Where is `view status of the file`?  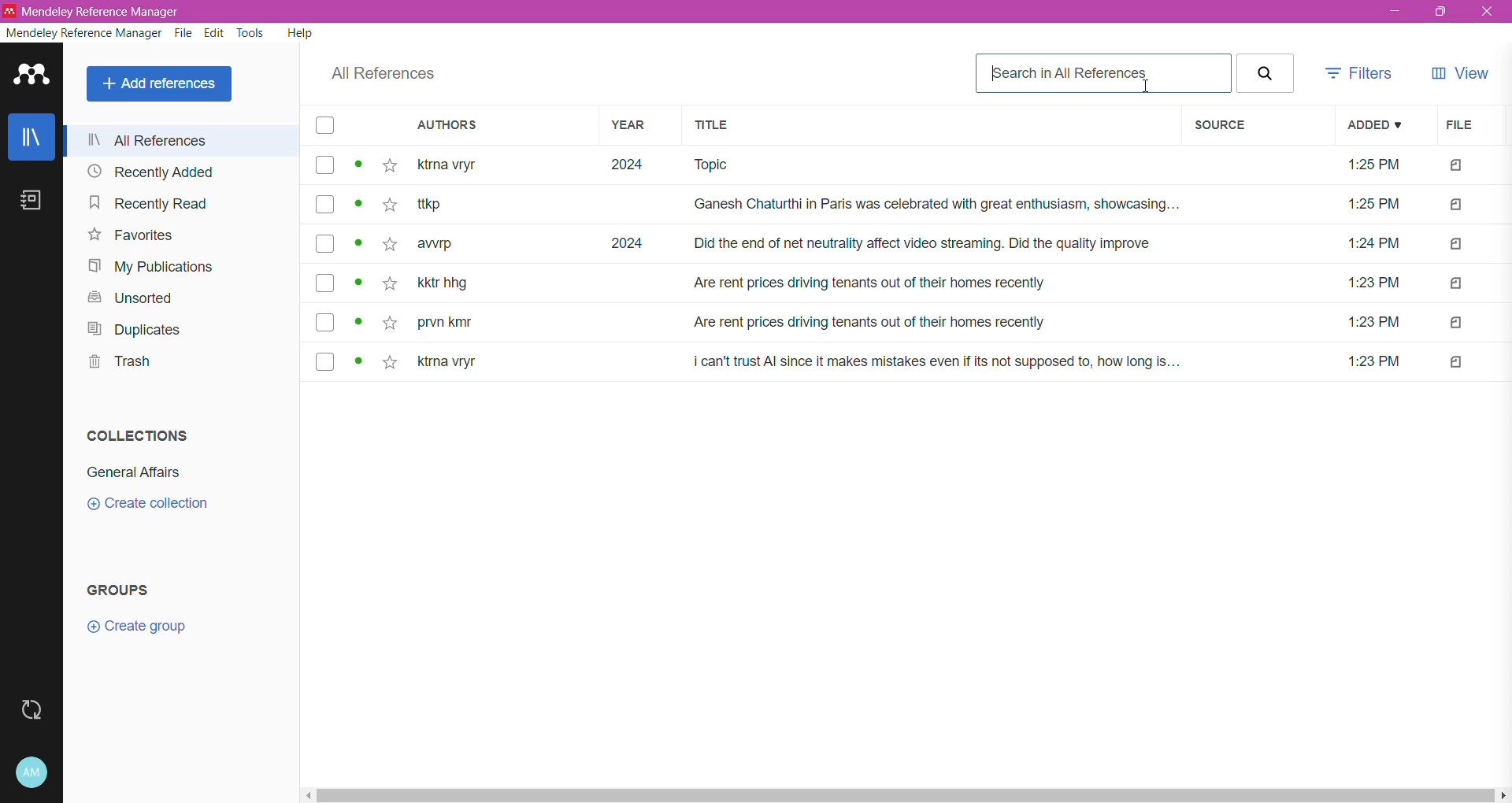 view status of the file is located at coordinates (359, 363).